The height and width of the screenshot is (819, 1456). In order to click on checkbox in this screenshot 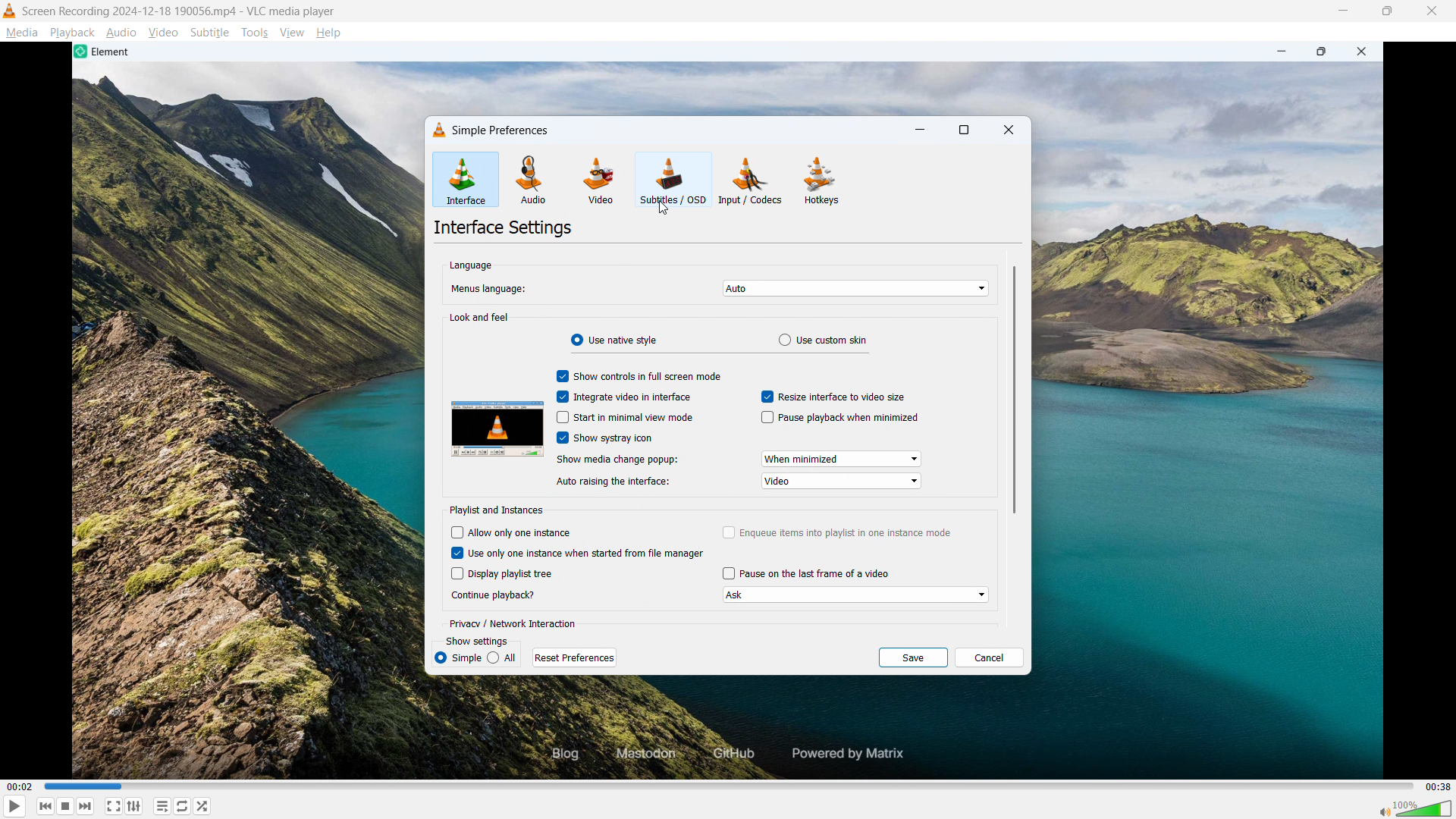, I will do `click(726, 574)`.